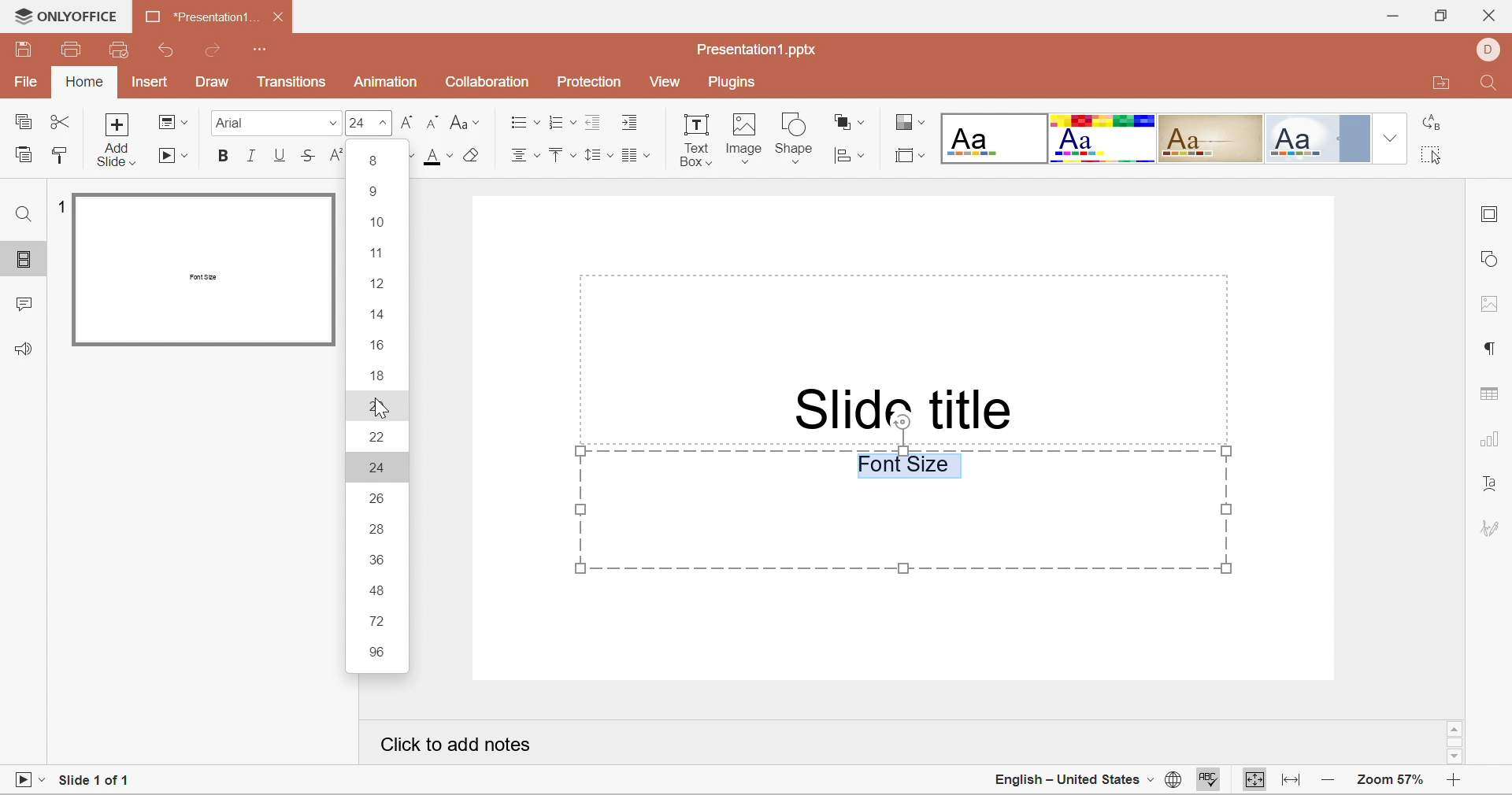 The image size is (1512, 795). What do you see at coordinates (409, 122) in the screenshot?
I see `Increment font size` at bounding box center [409, 122].